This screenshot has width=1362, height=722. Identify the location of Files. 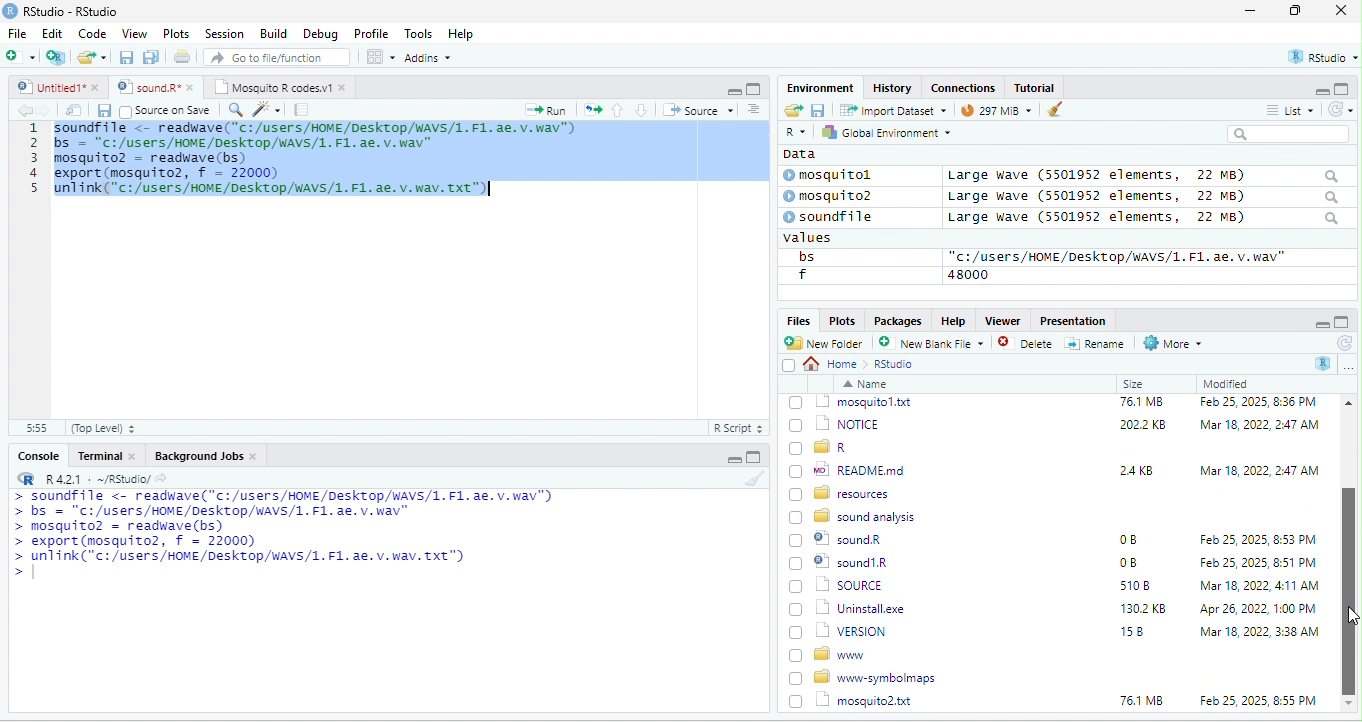
(795, 320).